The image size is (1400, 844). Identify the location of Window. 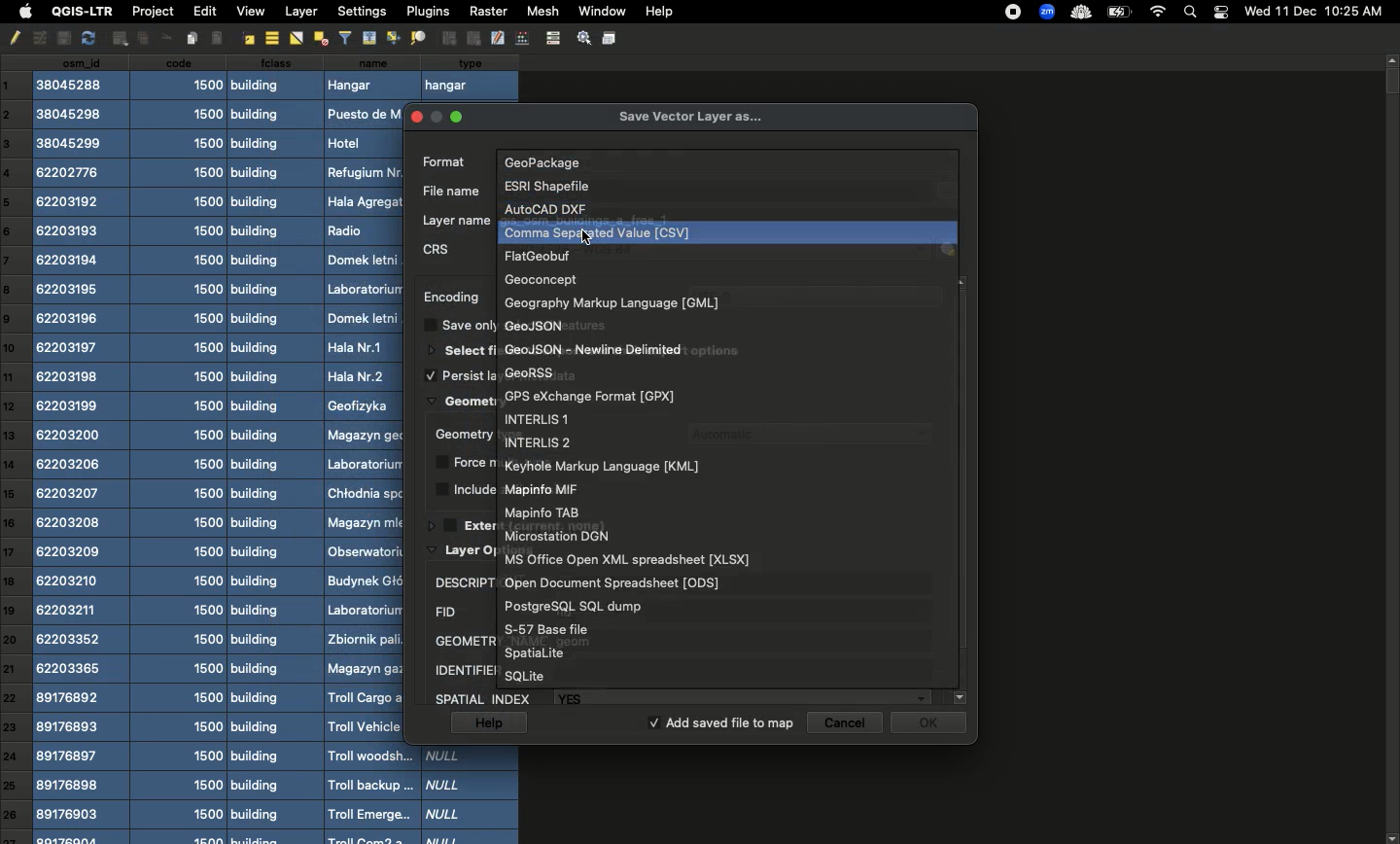
(599, 10).